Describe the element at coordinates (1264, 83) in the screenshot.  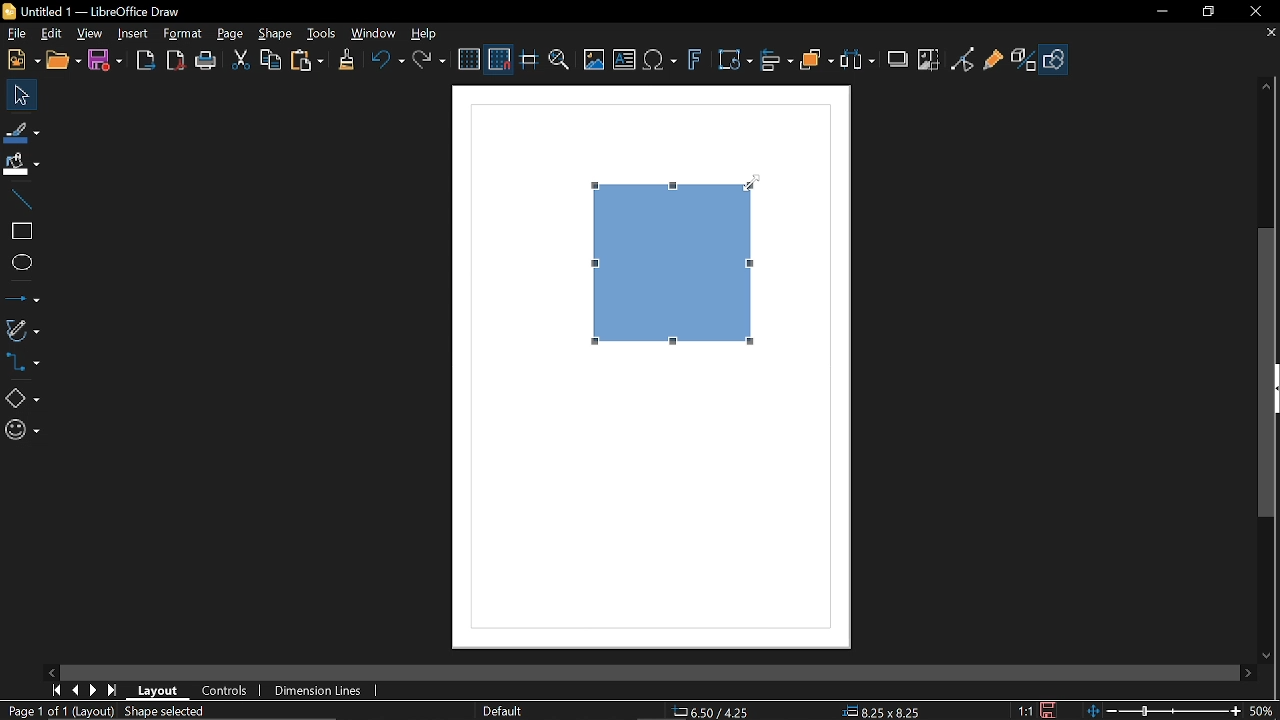
I see `Move up` at that location.